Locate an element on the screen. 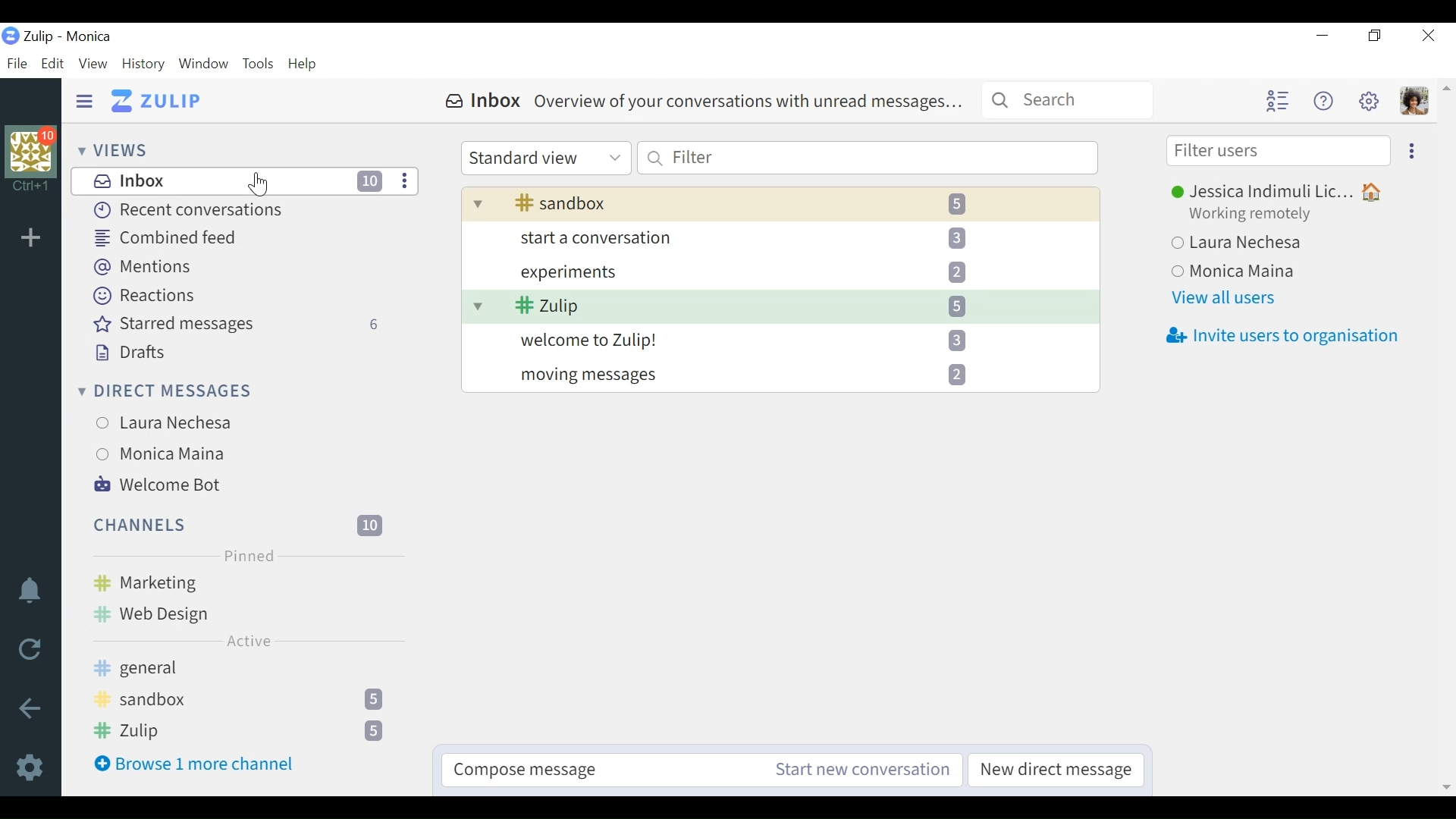 This screenshot has height=819, width=1456. Reload is located at coordinates (30, 650).